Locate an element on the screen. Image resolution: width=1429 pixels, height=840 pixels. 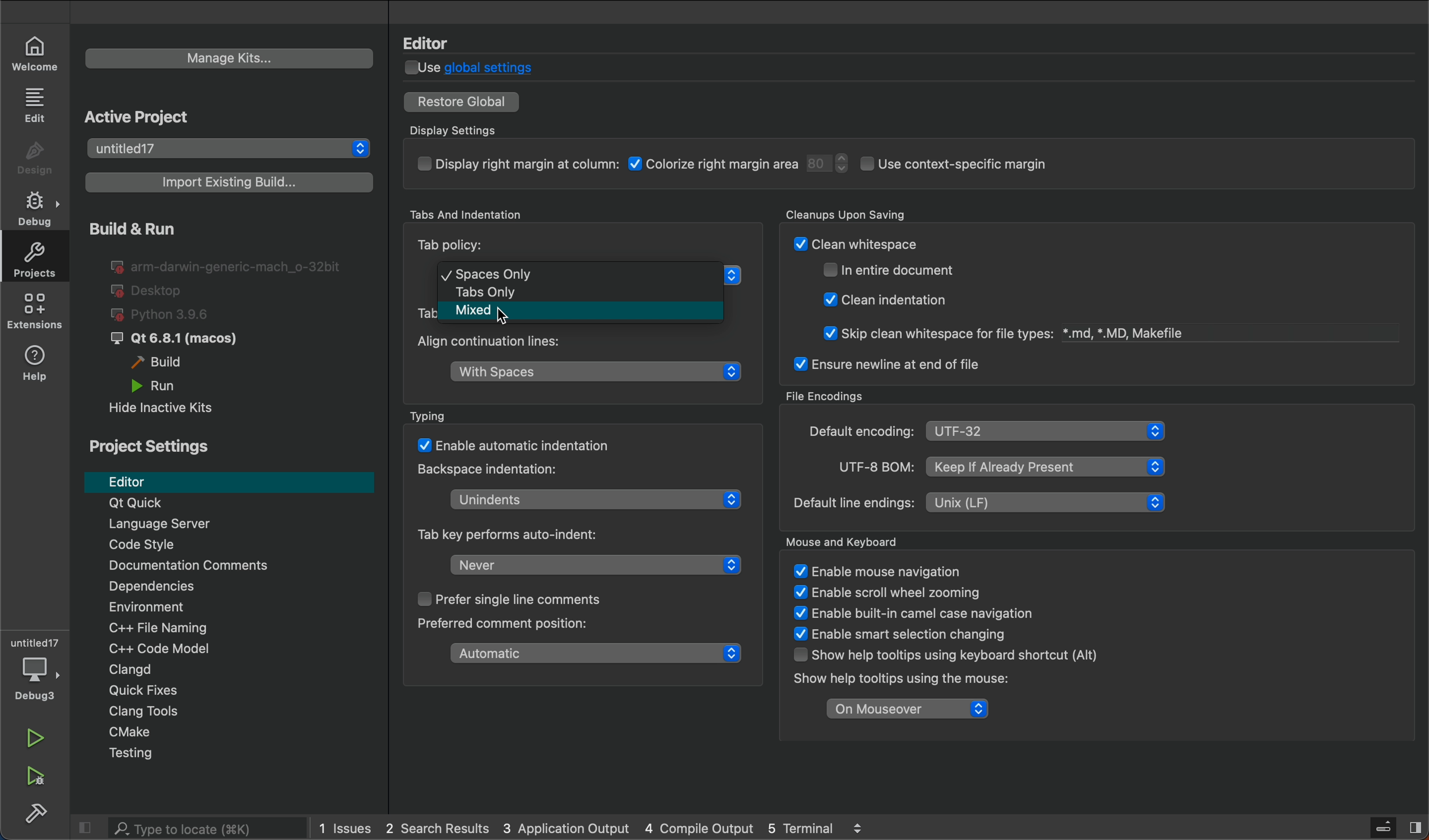
edit is located at coordinates (39, 107).